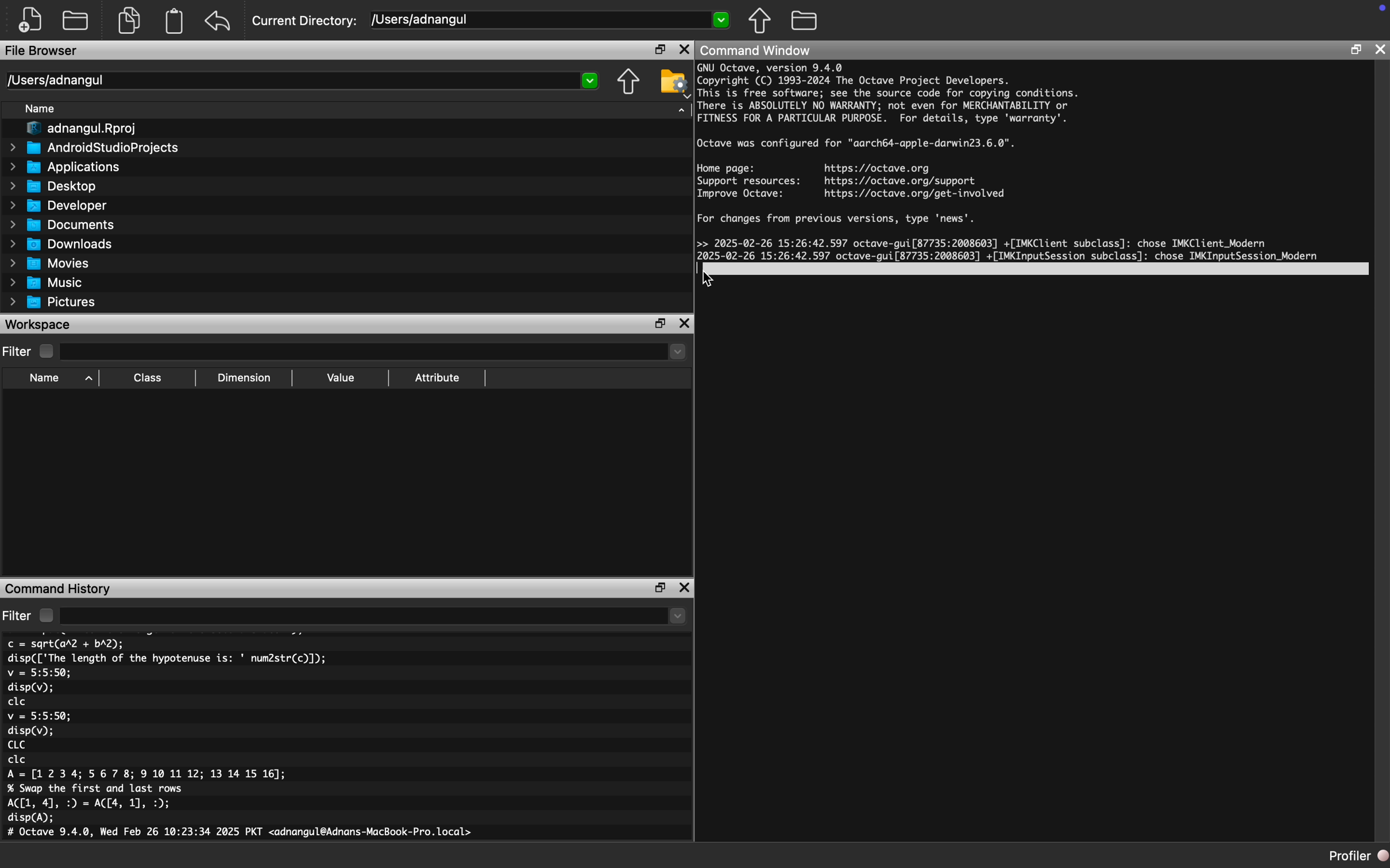 This screenshot has height=868, width=1390. Describe the element at coordinates (674, 83) in the screenshot. I see `Folder Settings` at that location.